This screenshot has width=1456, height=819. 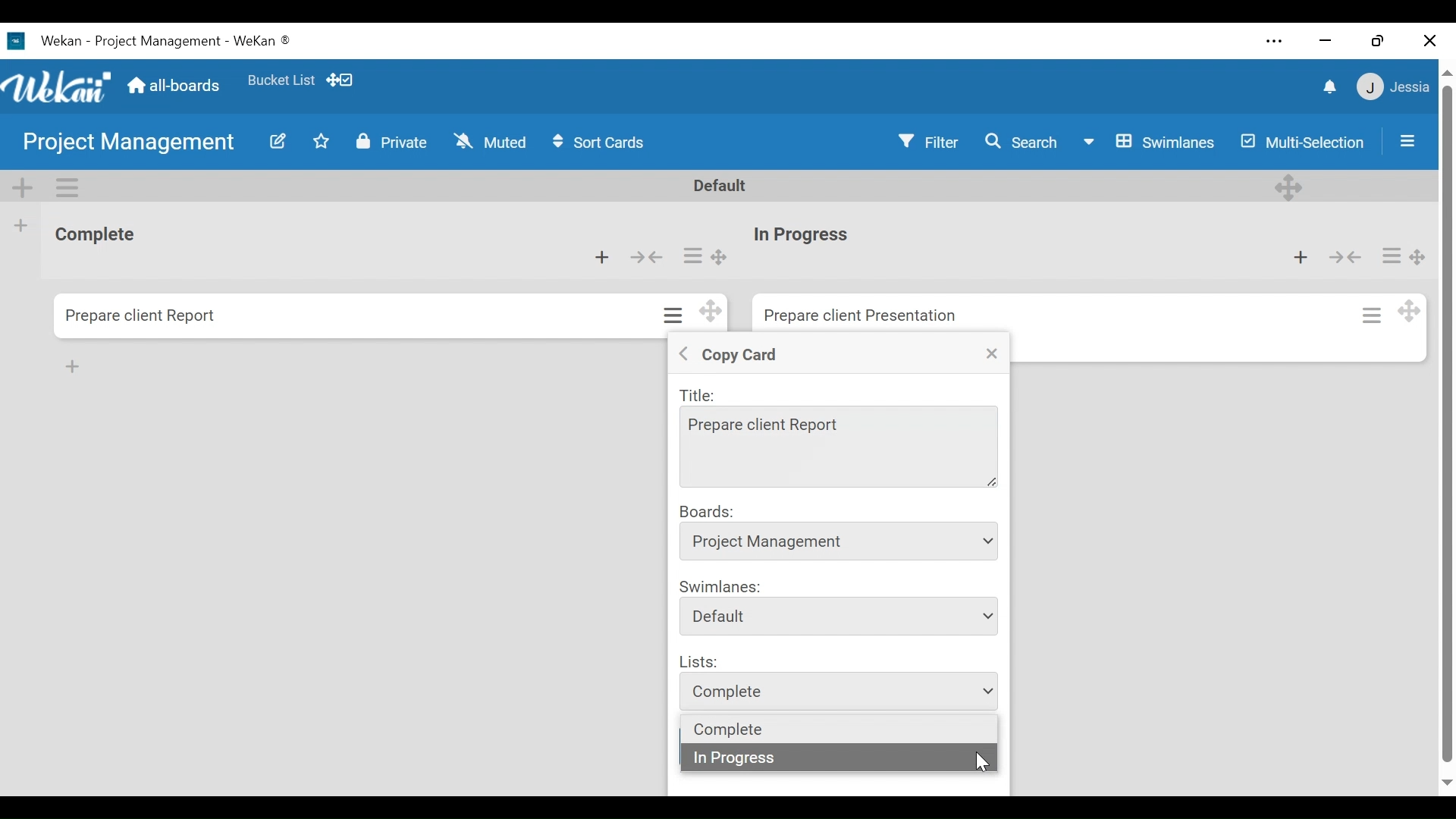 I want to click on notifications, so click(x=1335, y=86).